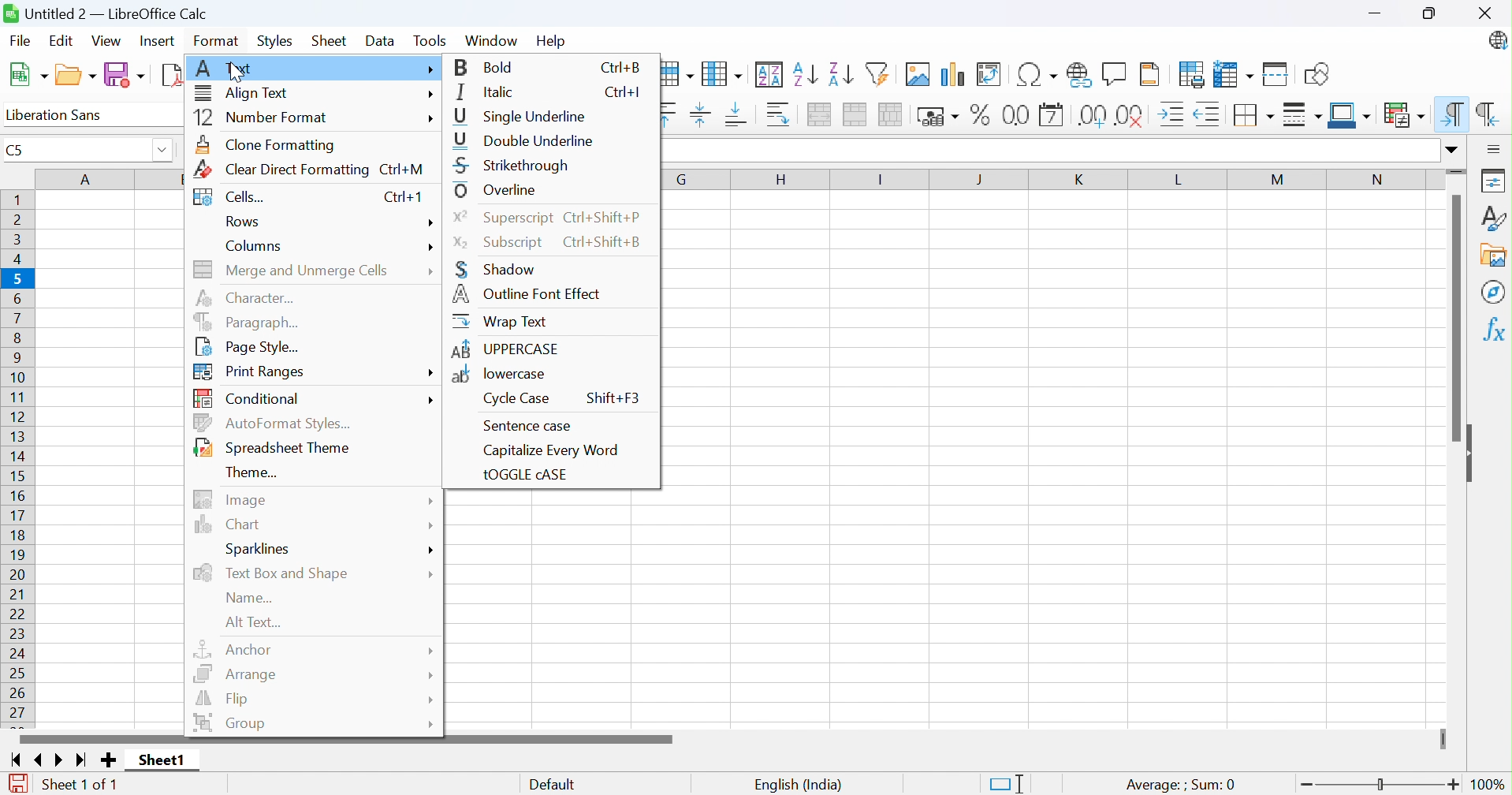  I want to click on Text box and shape, so click(274, 573).